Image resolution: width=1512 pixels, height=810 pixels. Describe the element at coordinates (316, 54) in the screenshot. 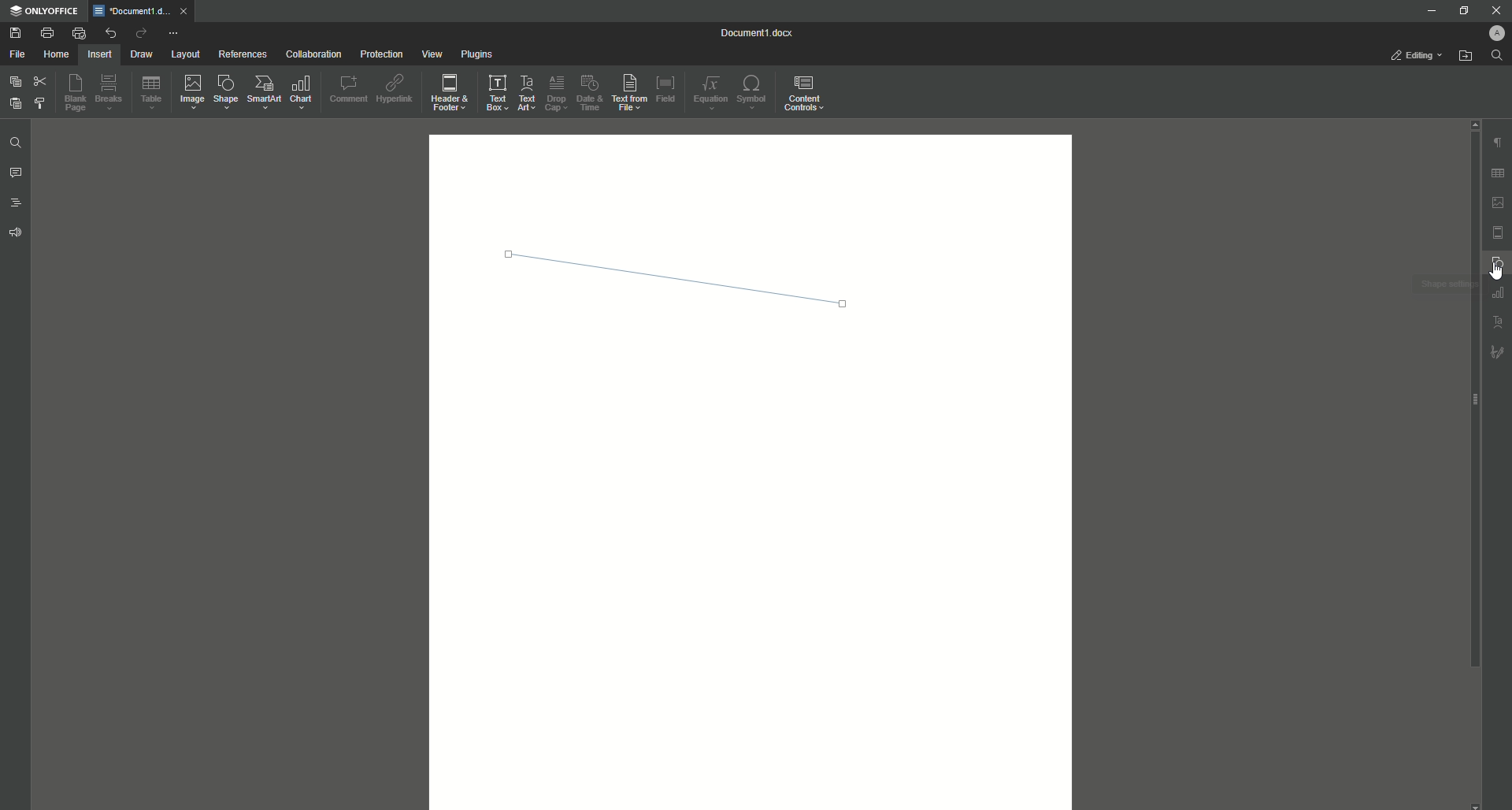

I see `Collaboration` at that location.